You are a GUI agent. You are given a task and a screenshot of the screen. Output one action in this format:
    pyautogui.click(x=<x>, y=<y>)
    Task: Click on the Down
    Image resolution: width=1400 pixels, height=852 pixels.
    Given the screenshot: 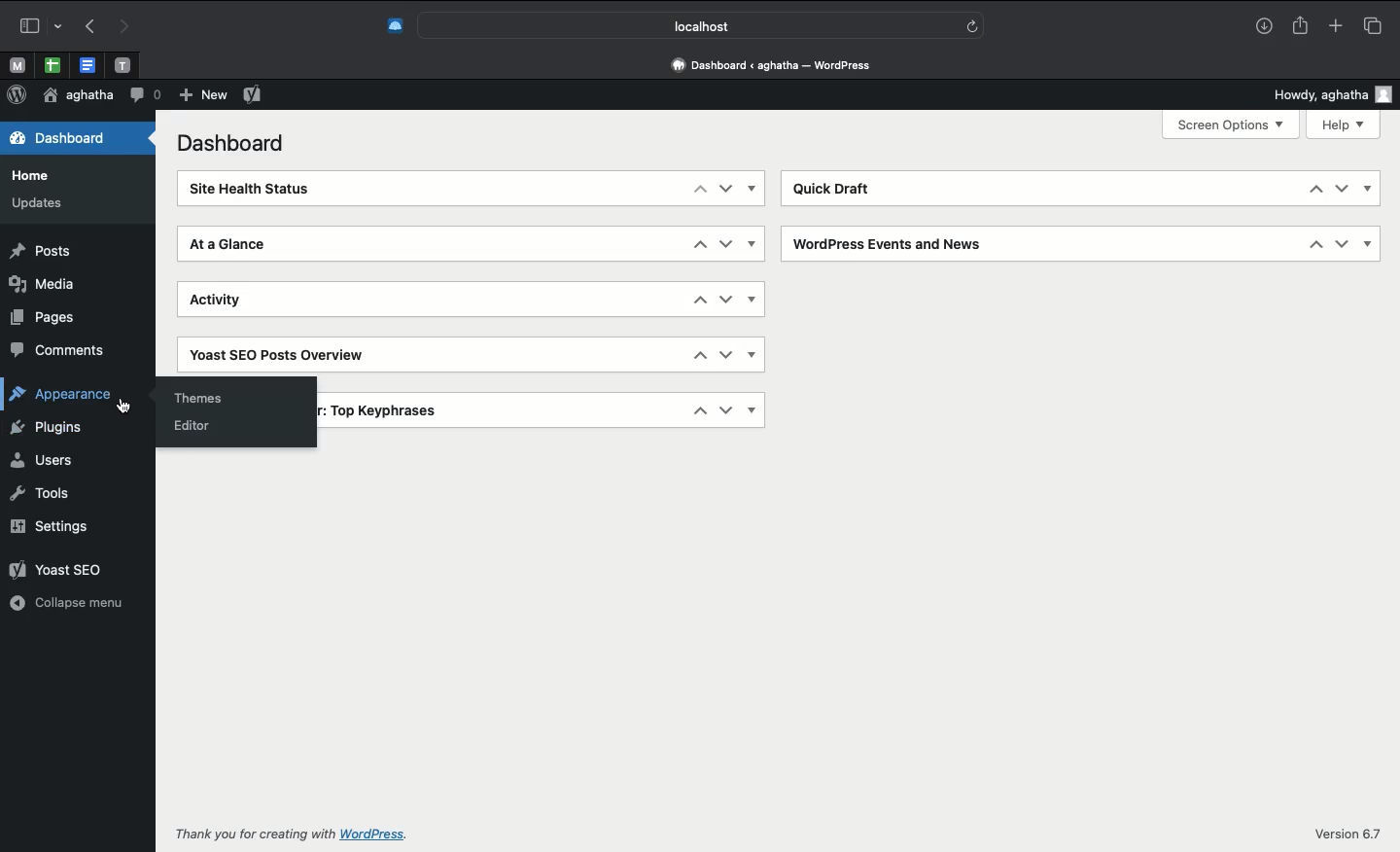 What is the action you would take?
    pyautogui.click(x=726, y=354)
    